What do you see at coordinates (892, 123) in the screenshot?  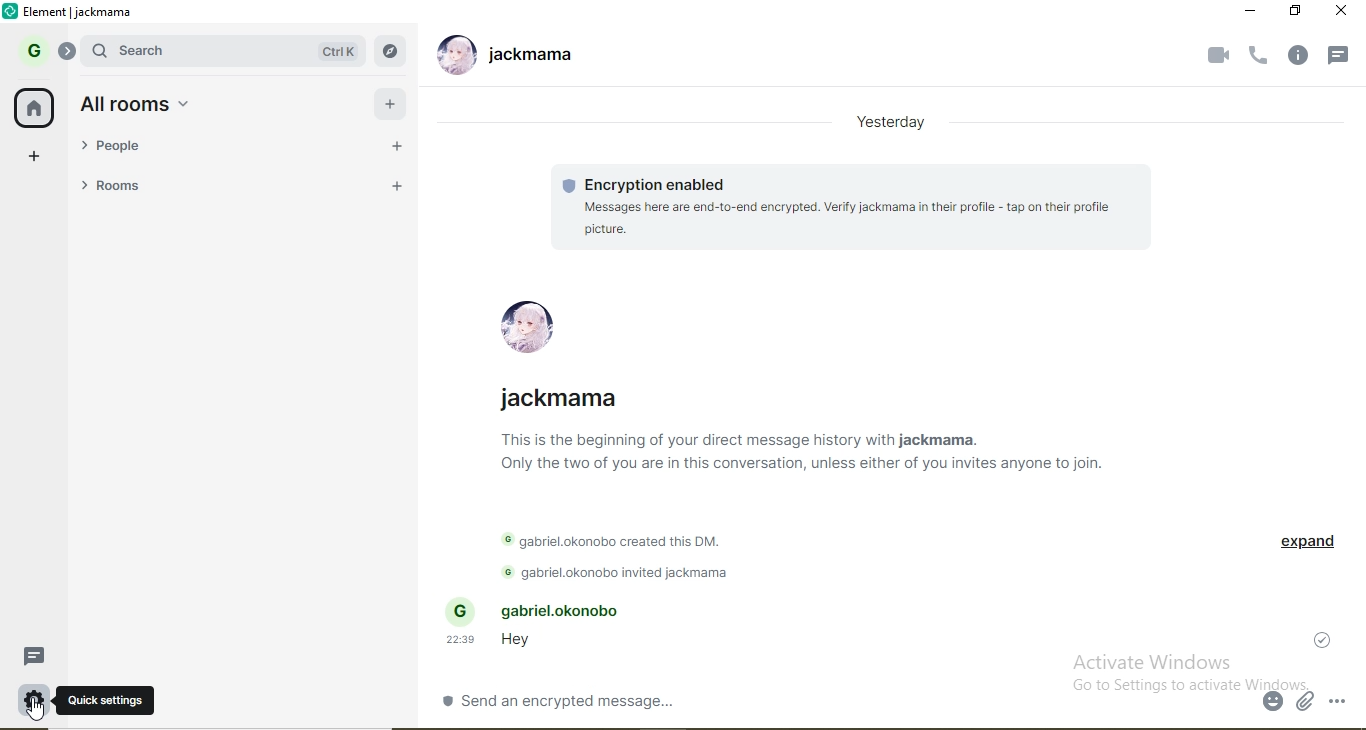 I see `yesterday` at bounding box center [892, 123].